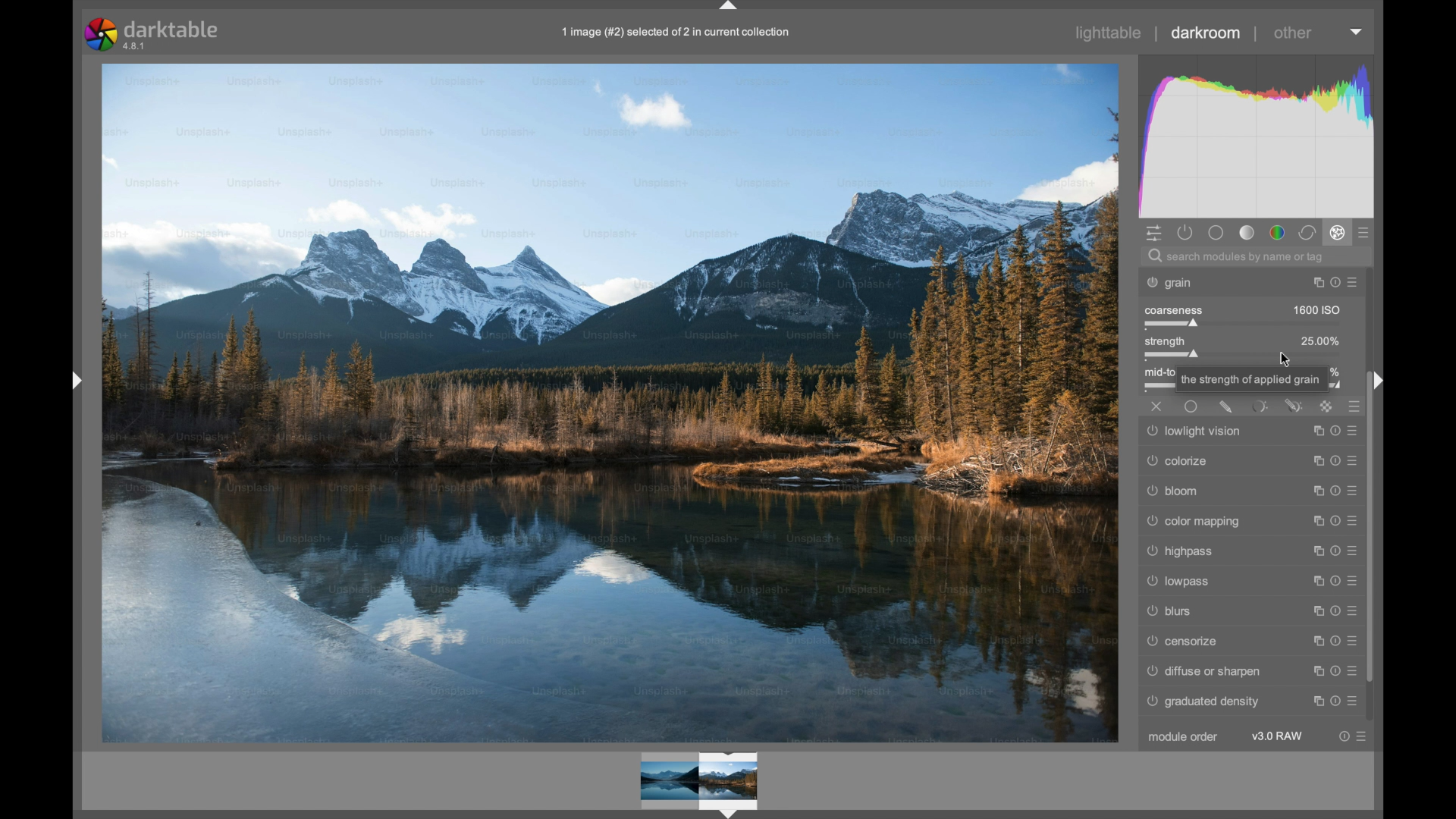 Image resolution: width=1456 pixels, height=819 pixels. I want to click on quick access panel, so click(1154, 234).